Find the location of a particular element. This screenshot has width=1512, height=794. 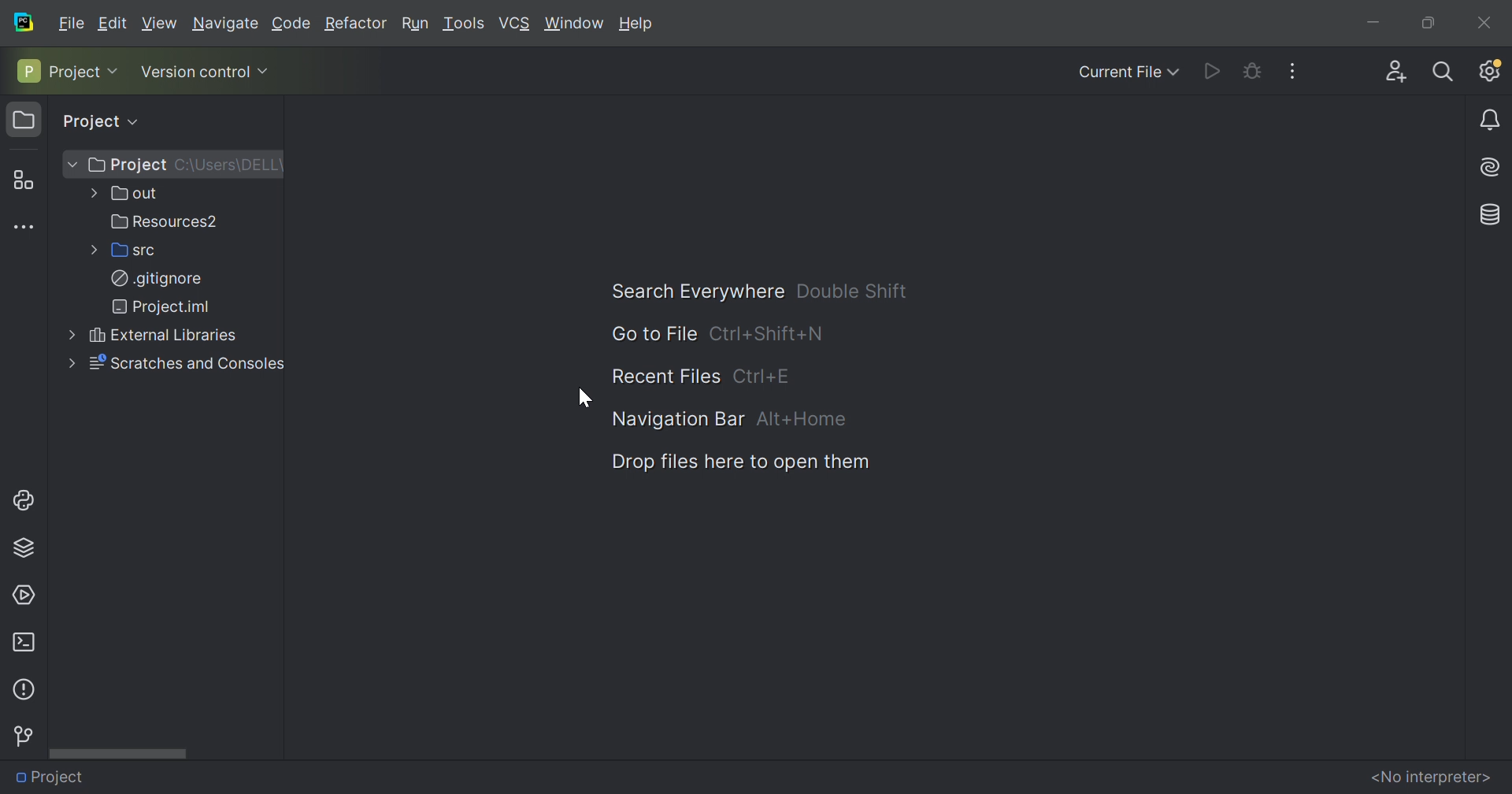

Minimize is located at coordinates (1370, 21).